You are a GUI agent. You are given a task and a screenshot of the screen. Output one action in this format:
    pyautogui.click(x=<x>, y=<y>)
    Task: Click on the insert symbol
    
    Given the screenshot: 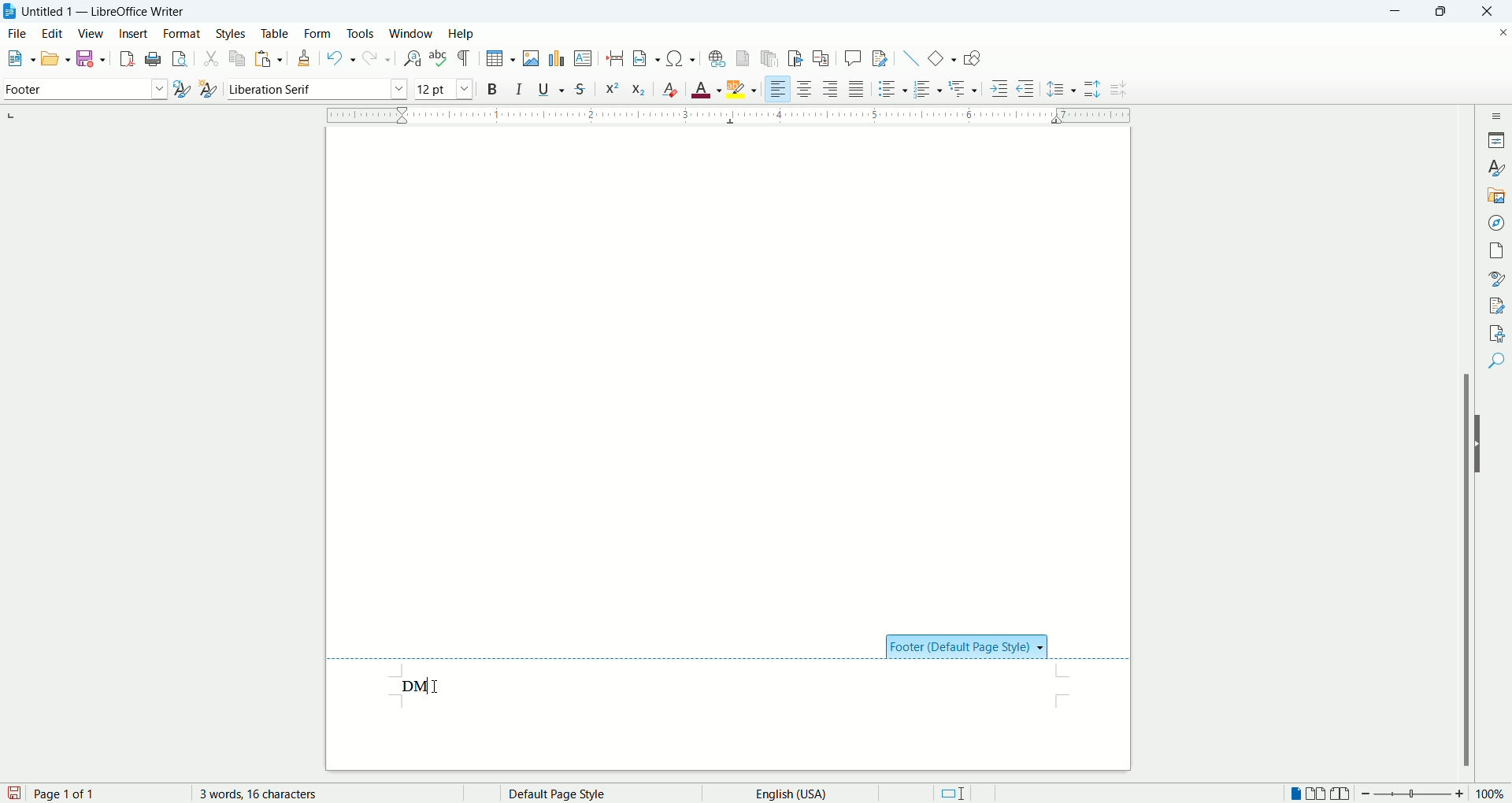 What is the action you would take?
    pyautogui.click(x=681, y=57)
    